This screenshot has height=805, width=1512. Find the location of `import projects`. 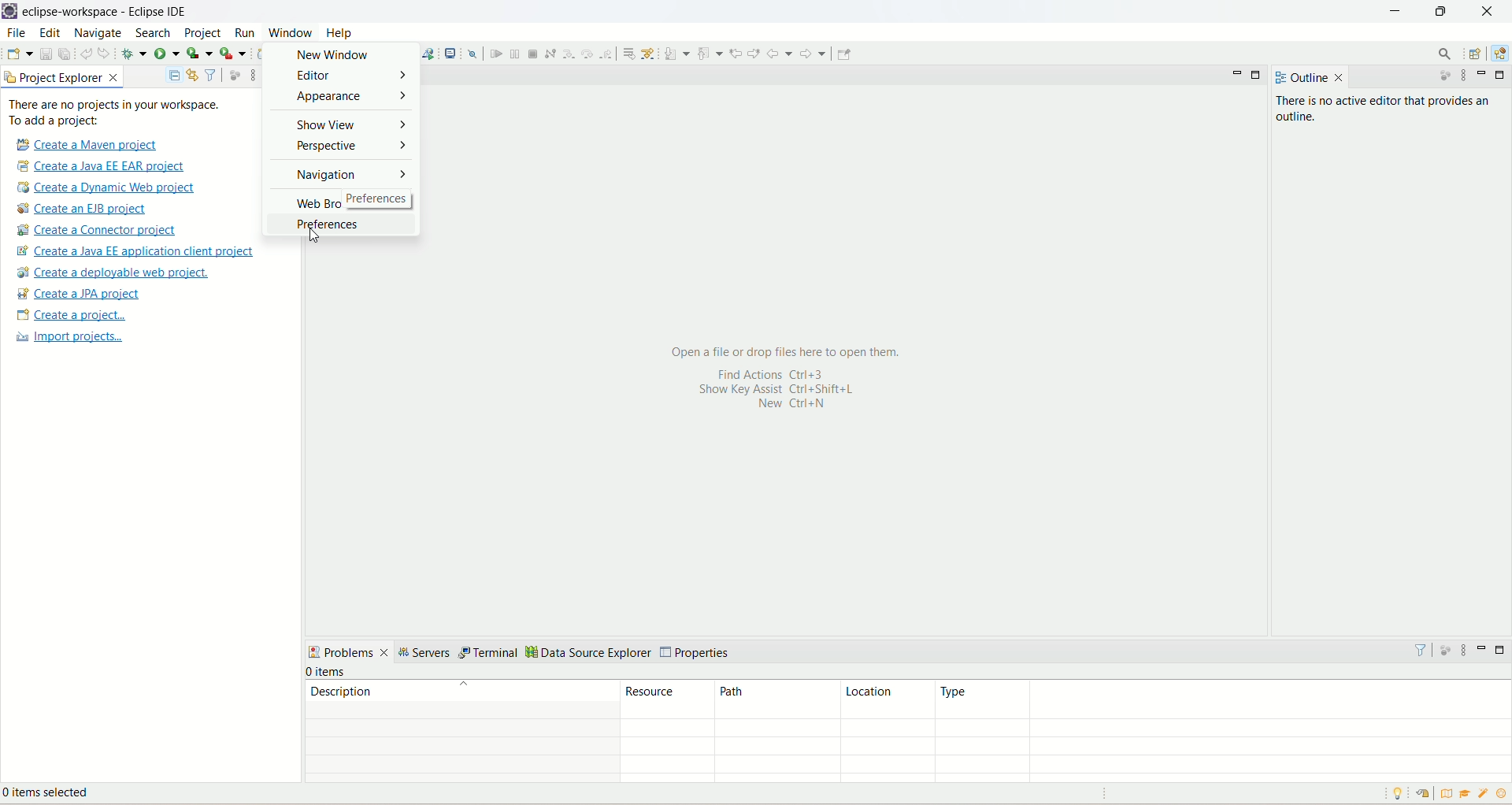

import projects is located at coordinates (67, 339).